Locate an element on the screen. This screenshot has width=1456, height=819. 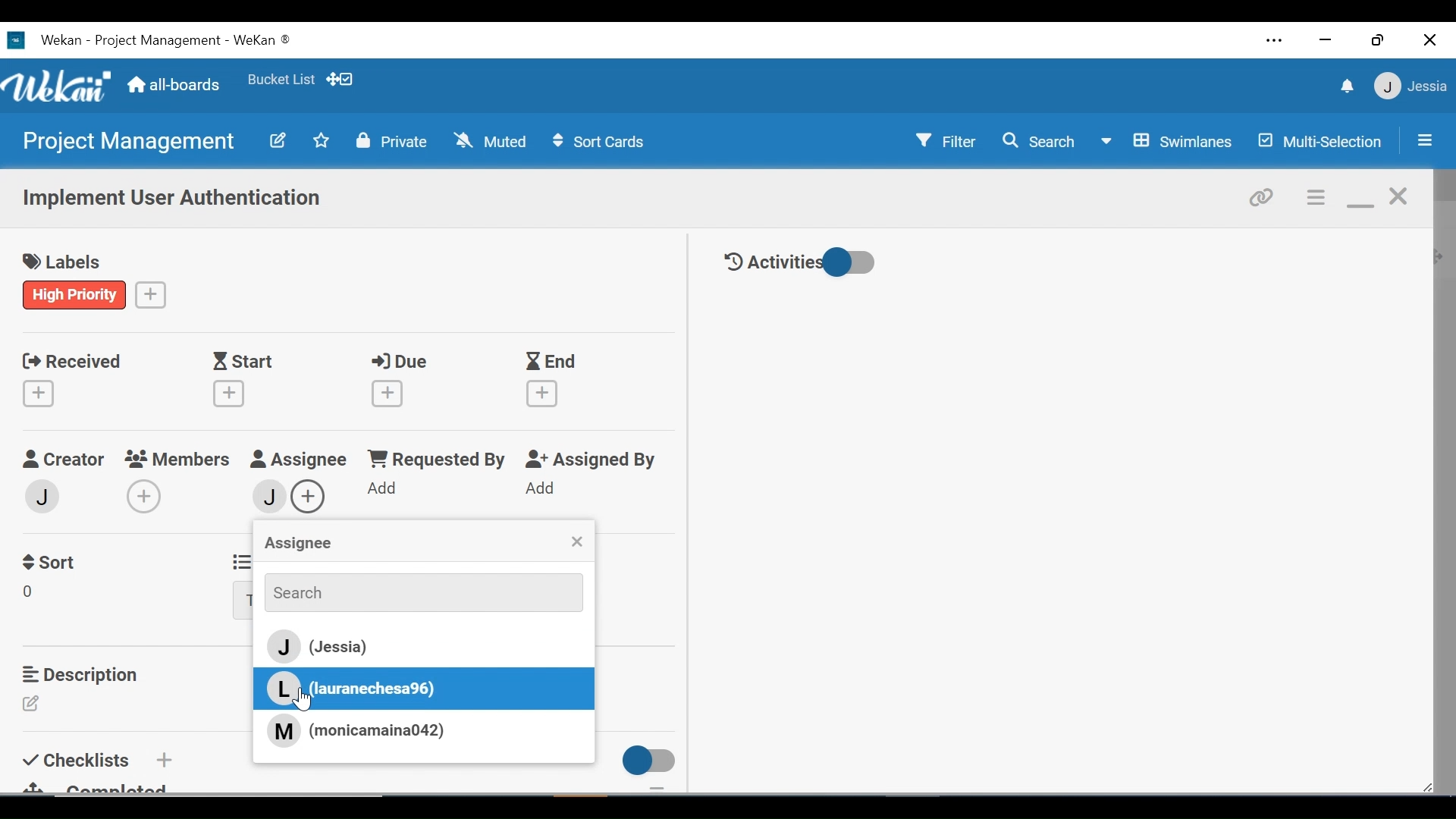
createEnd Date is located at coordinates (545, 394).